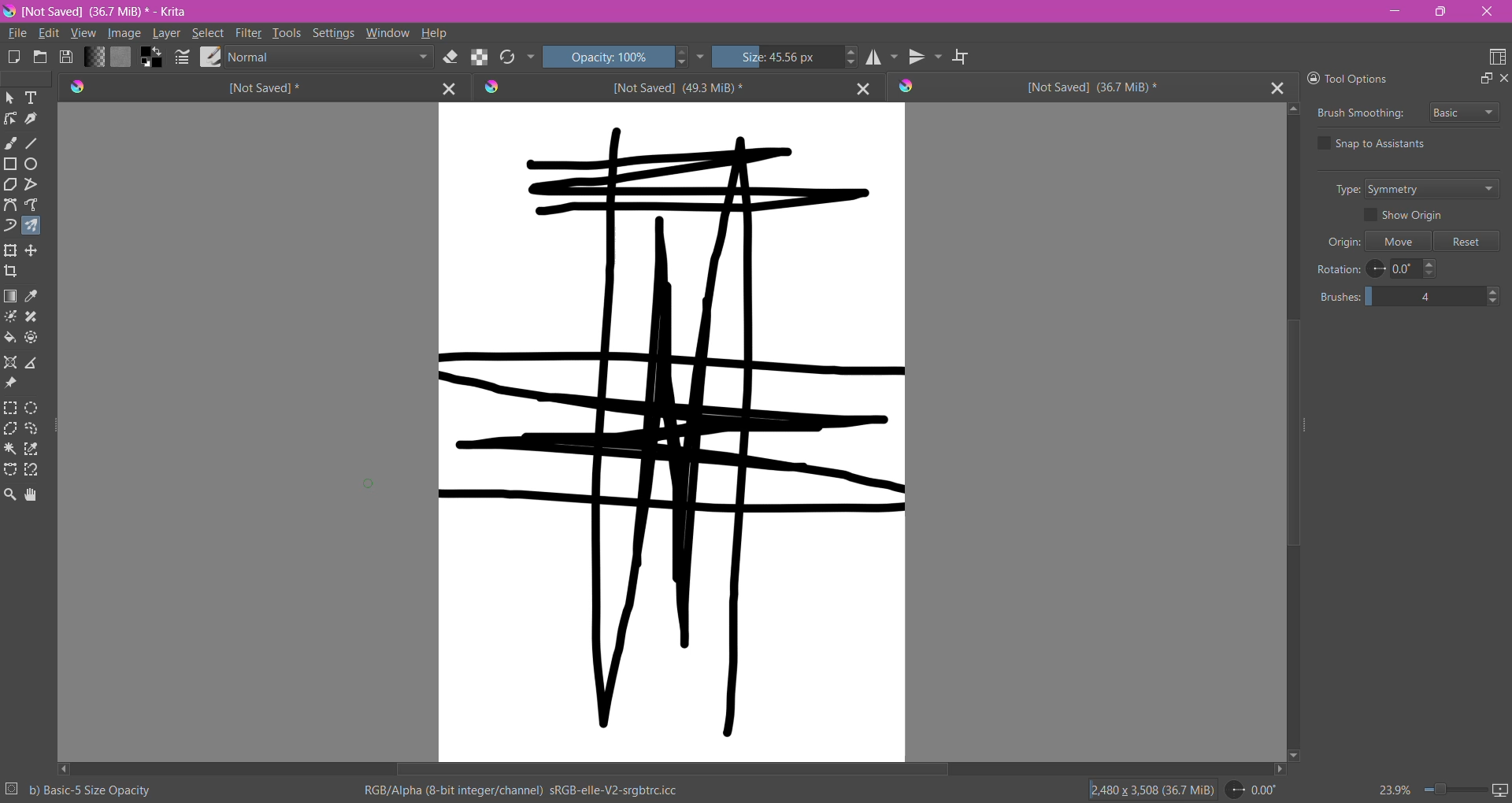  What do you see at coordinates (1358, 77) in the screenshot?
I see `Tool Options` at bounding box center [1358, 77].